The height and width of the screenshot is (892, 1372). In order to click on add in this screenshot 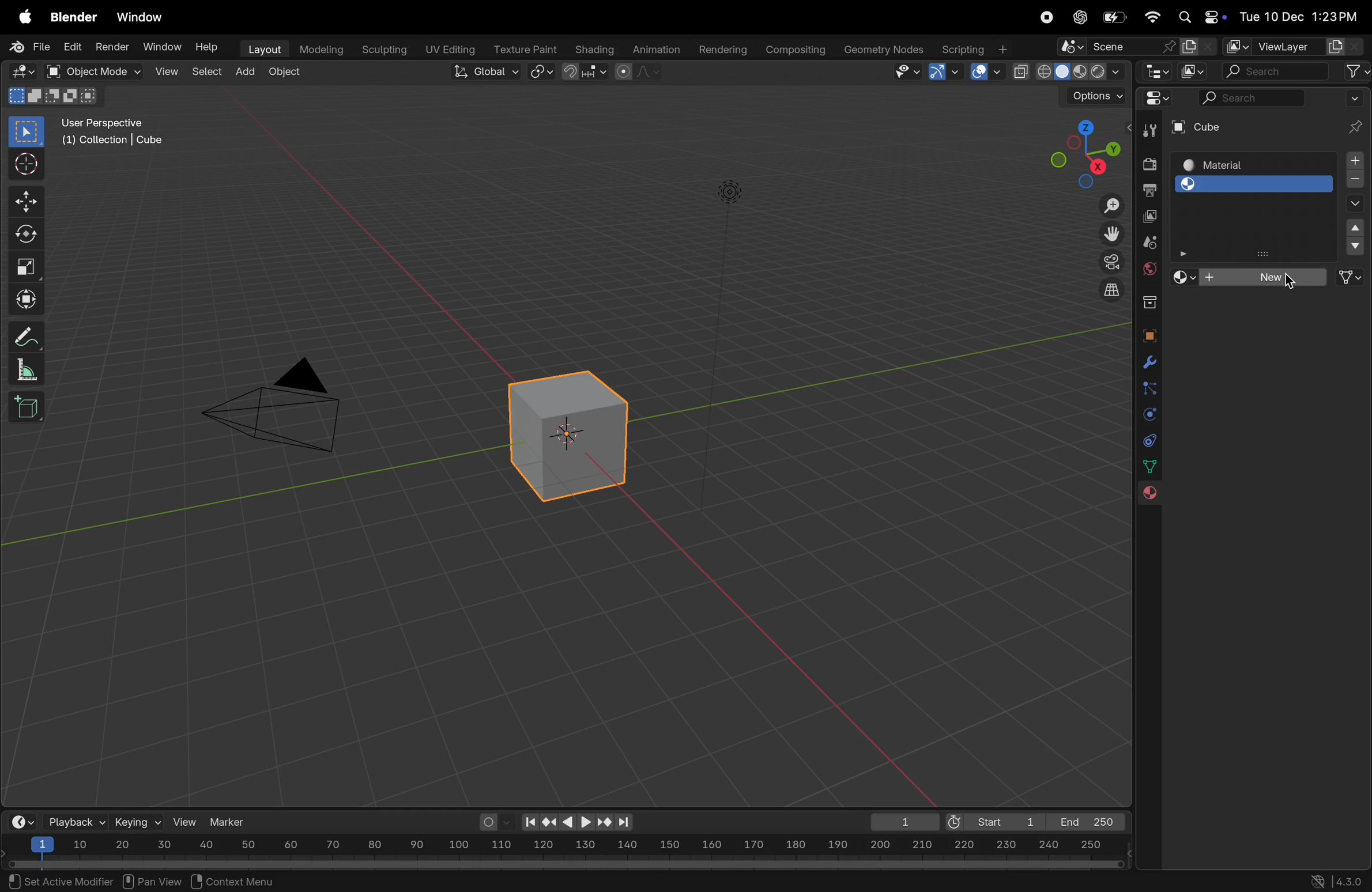, I will do `click(246, 69)`.